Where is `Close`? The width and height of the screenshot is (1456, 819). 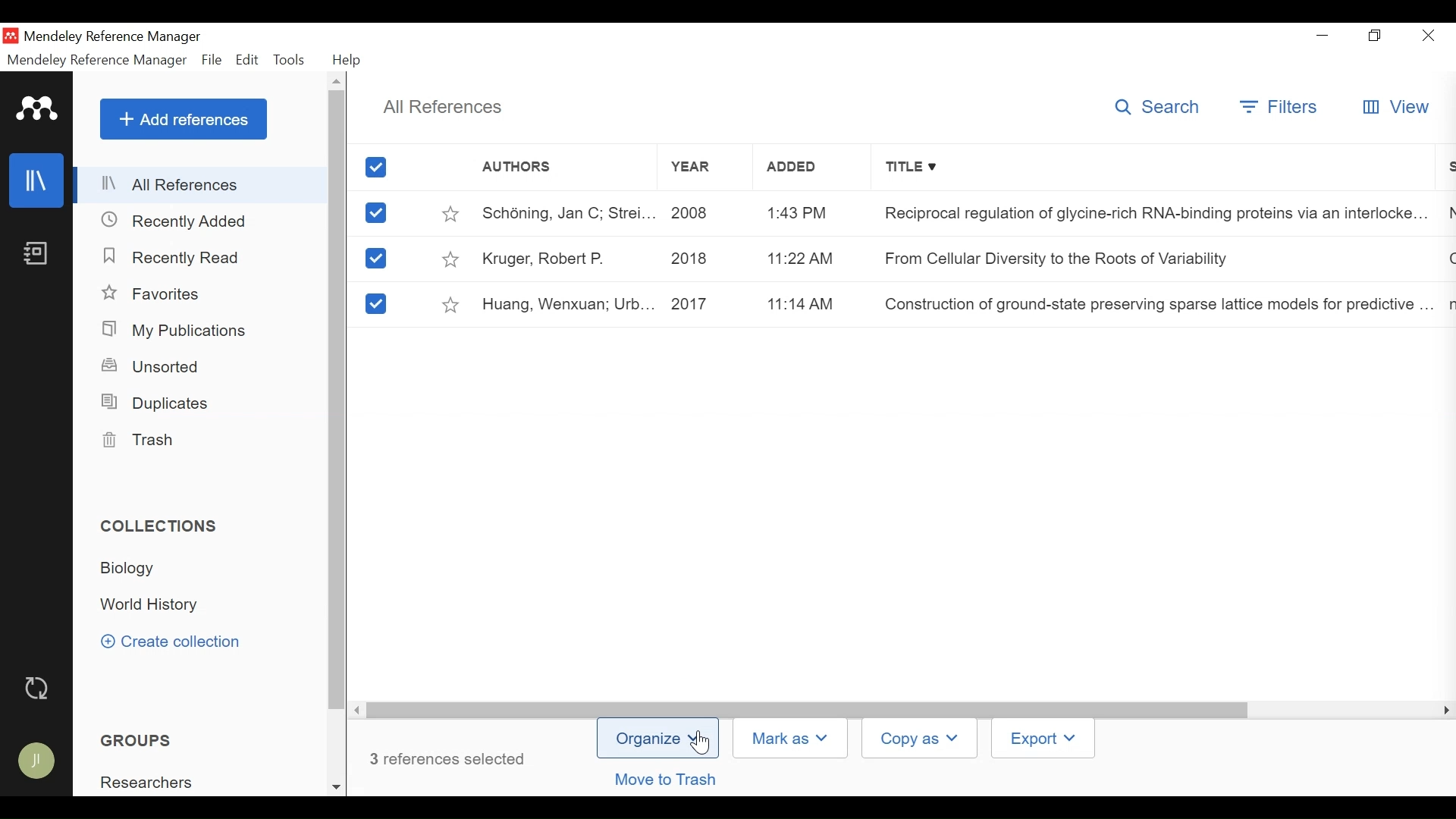
Close is located at coordinates (1429, 36).